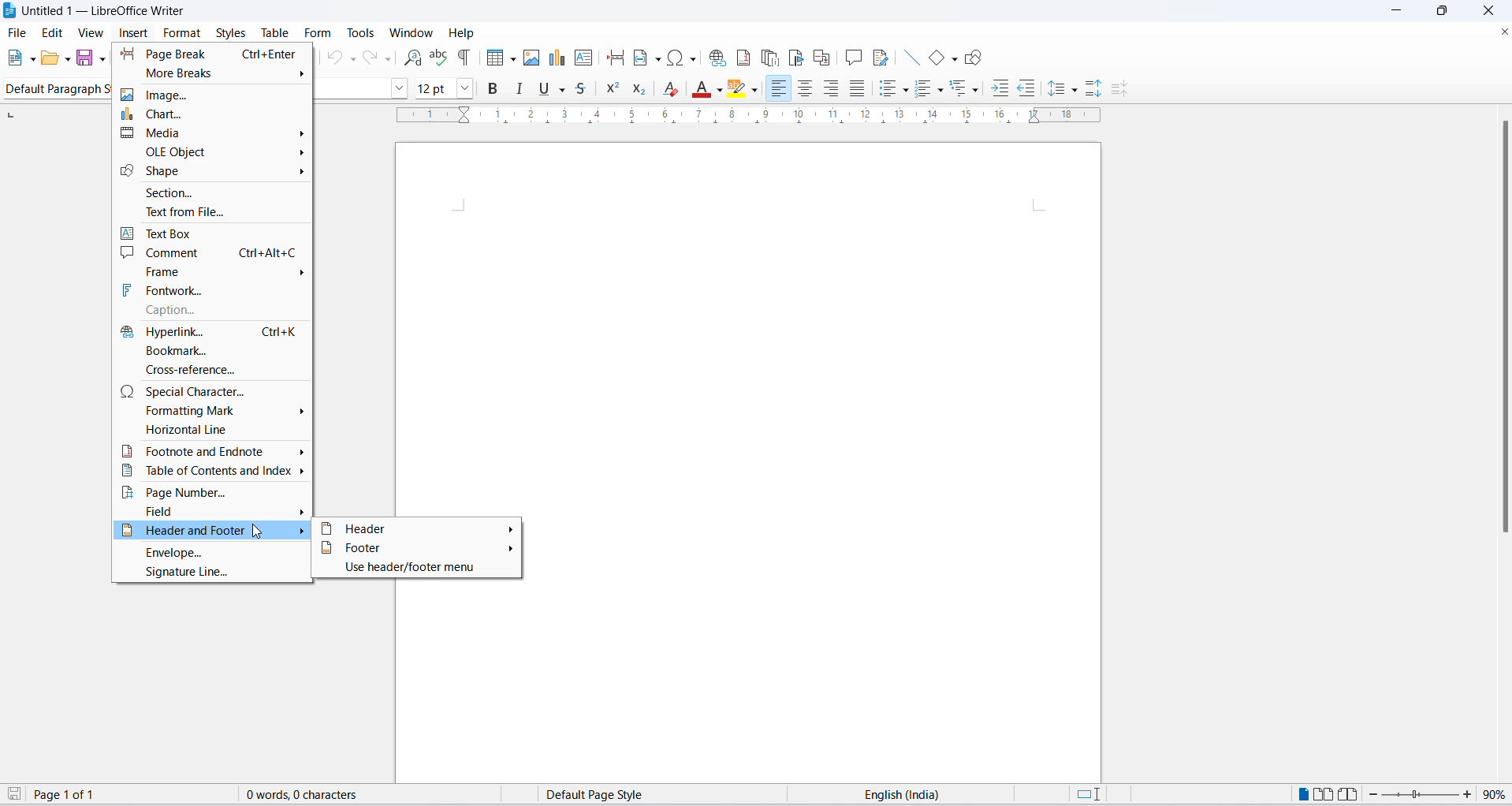 This screenshot has height=806, width=1512. What do you see at coordinates (50, 59) in the screenshot?
I see `open` at bounding box center [50, 59].